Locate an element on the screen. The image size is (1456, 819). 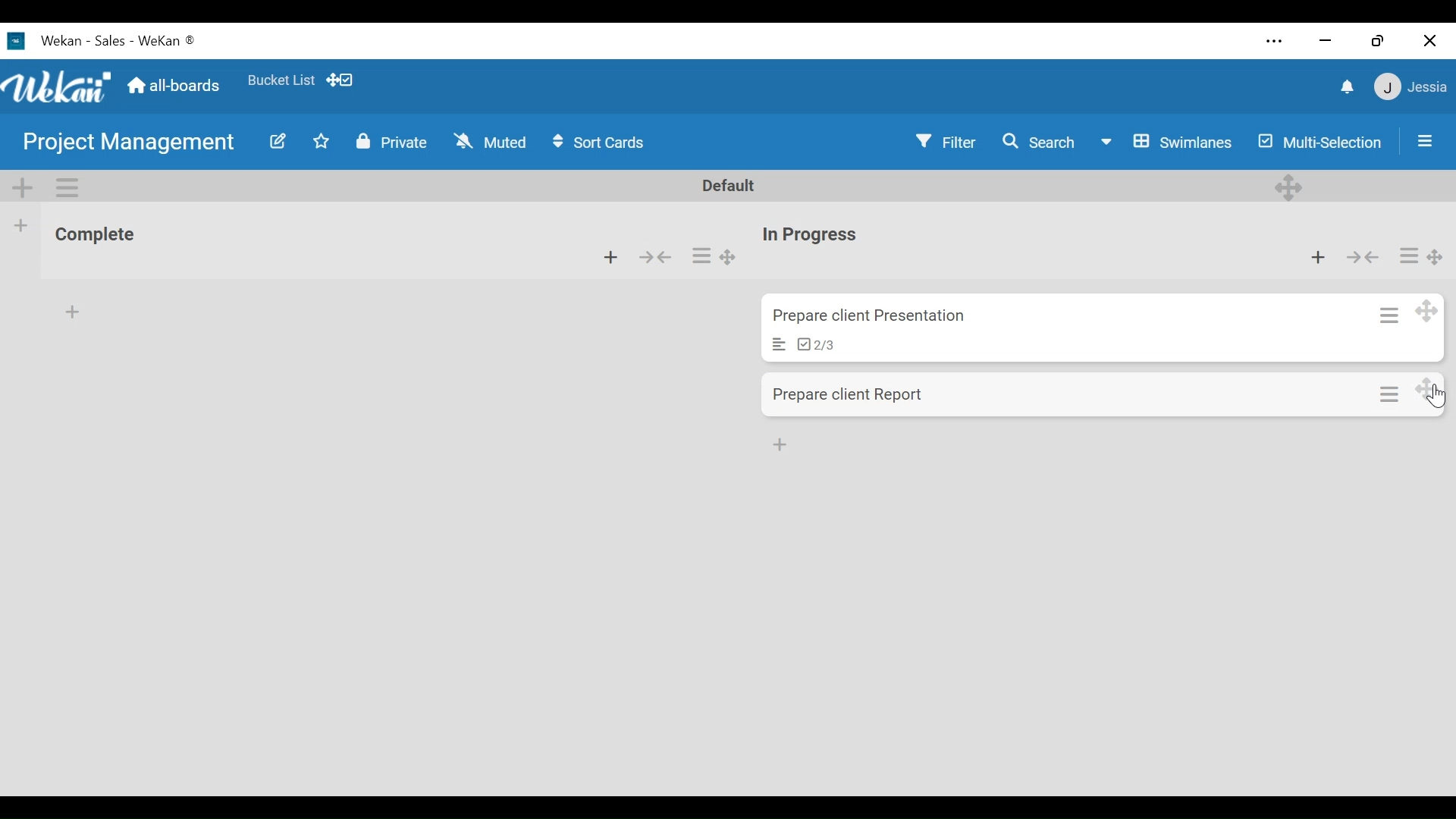
Default is located at coordinates (731, 186).